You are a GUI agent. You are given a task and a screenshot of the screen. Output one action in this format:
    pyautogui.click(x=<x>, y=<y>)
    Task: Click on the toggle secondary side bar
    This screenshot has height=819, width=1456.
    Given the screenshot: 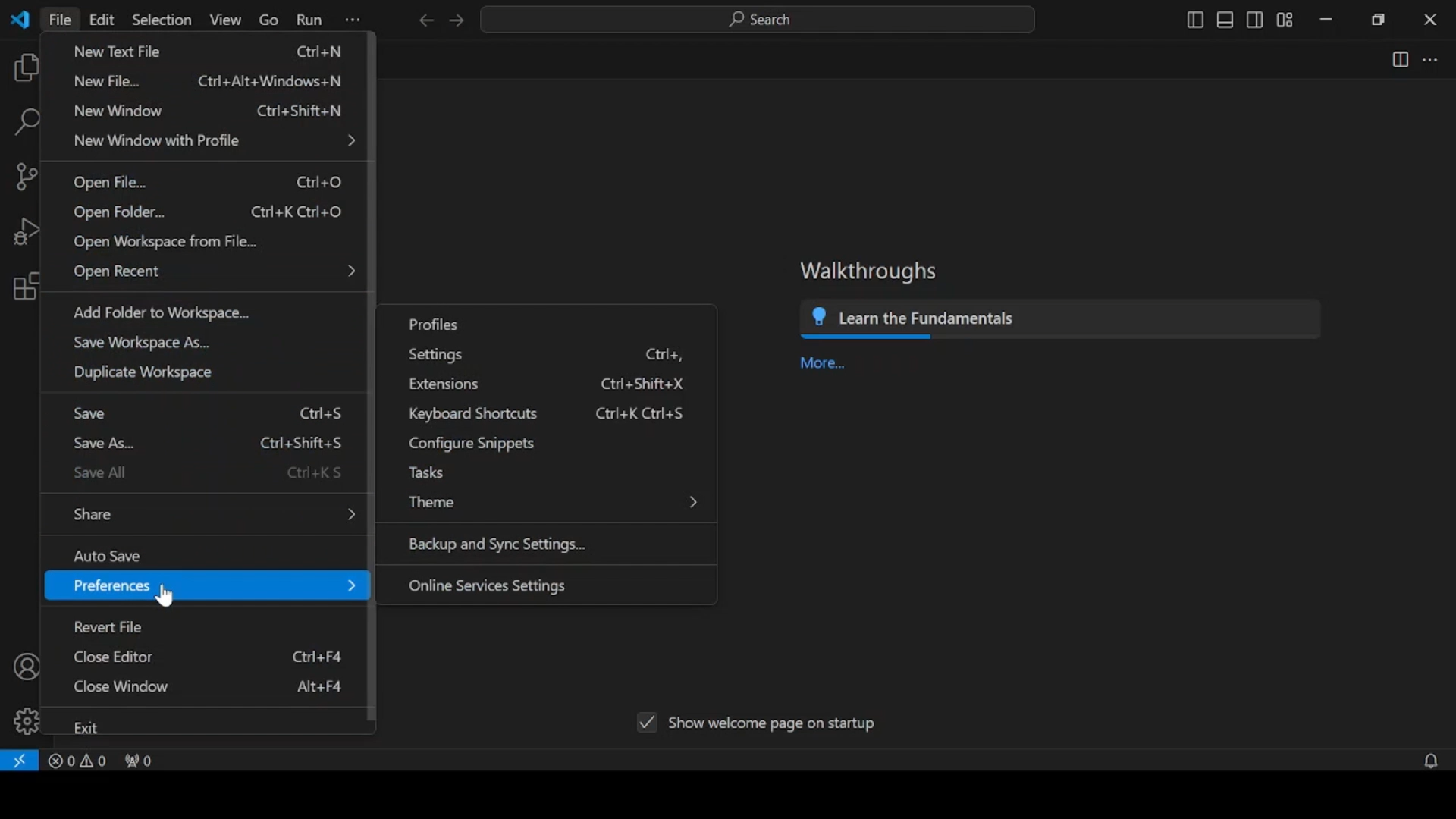 What is the action you would take?
    pyautogui.click(x=1255, y=20)
    